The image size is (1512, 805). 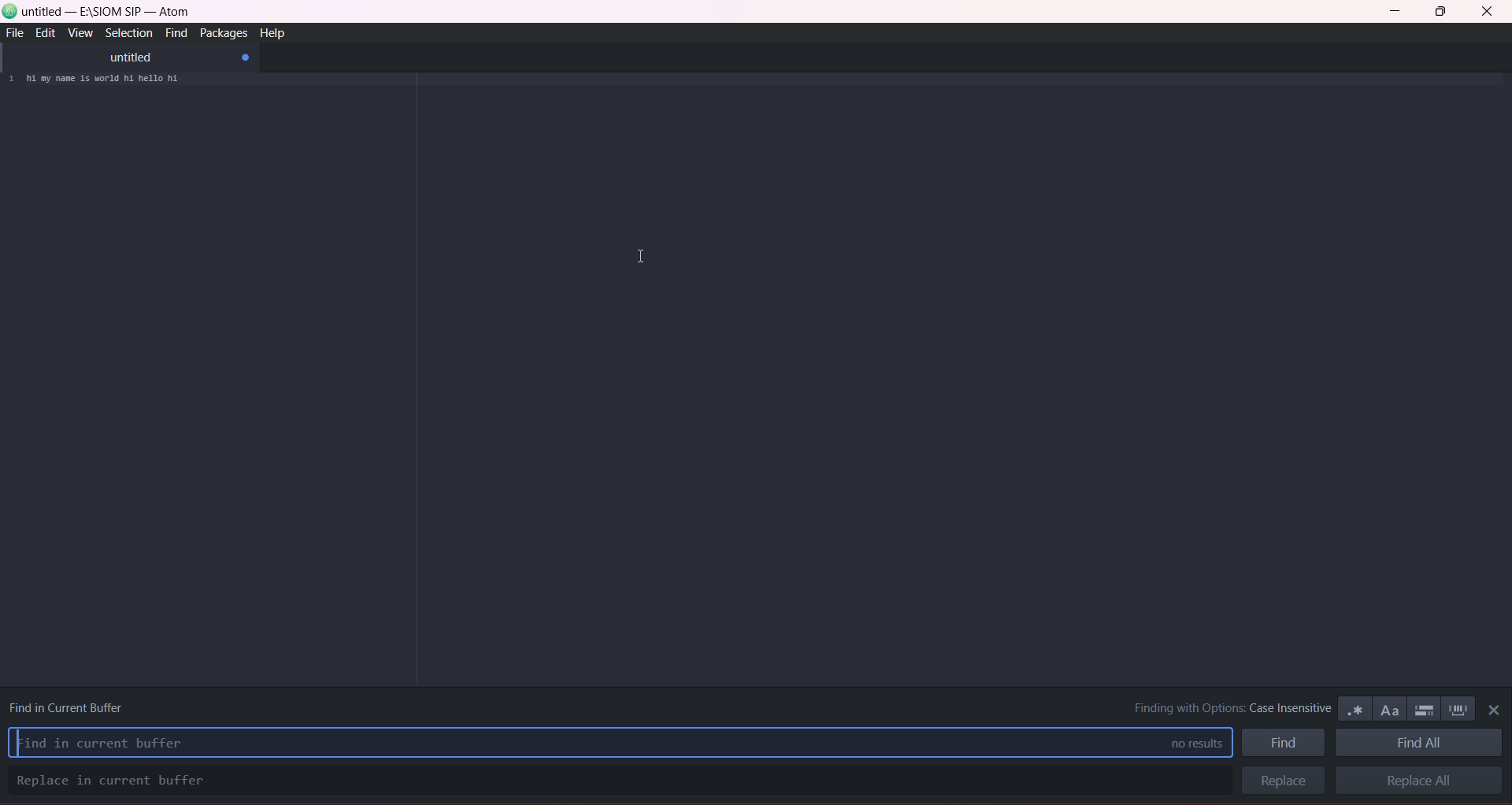 I want to click on hi my name is world hi hello hi, so click(x=114, y=81).